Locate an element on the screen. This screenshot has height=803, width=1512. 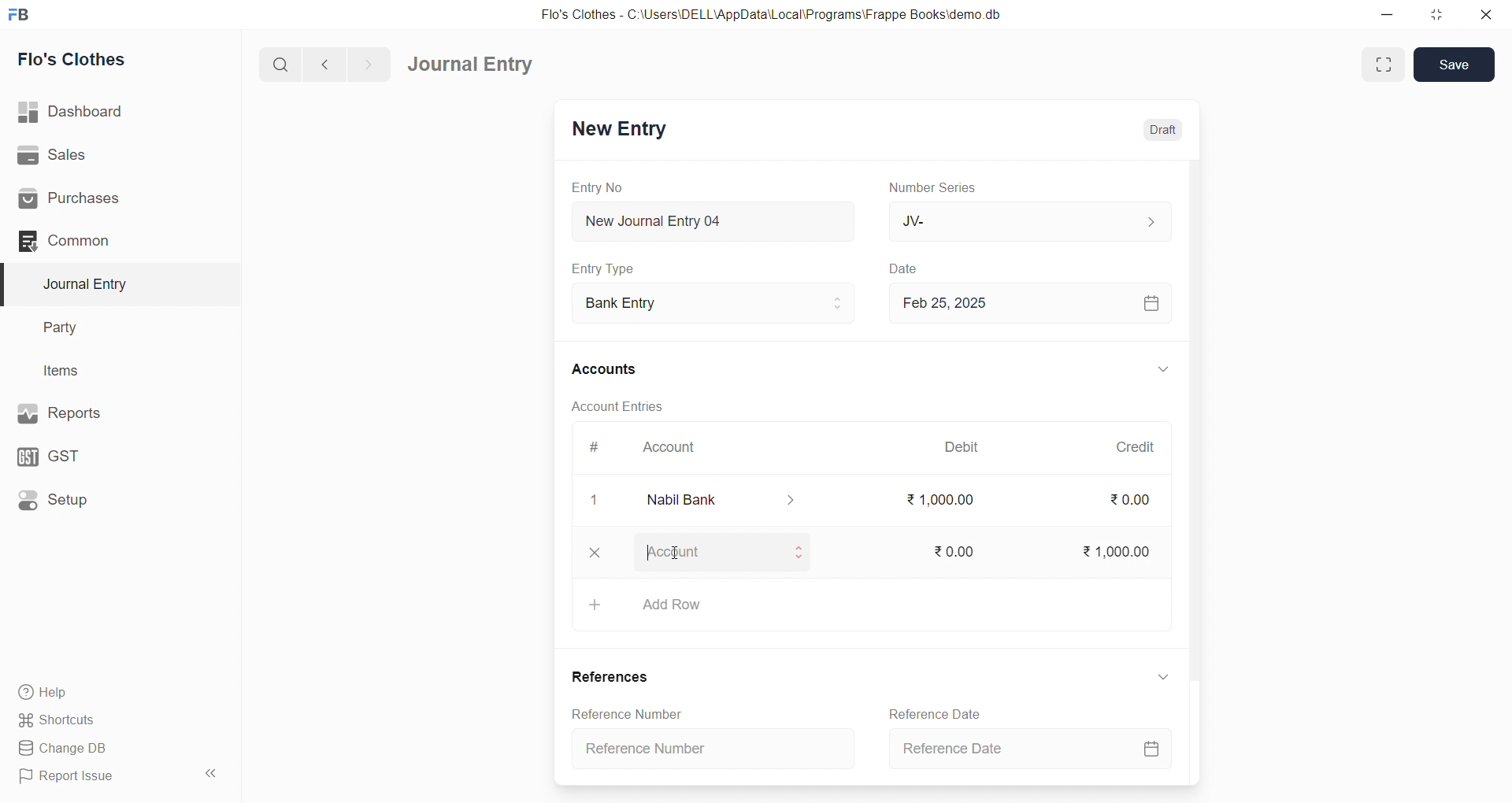
Number Series is located at coordinates (936, 187).